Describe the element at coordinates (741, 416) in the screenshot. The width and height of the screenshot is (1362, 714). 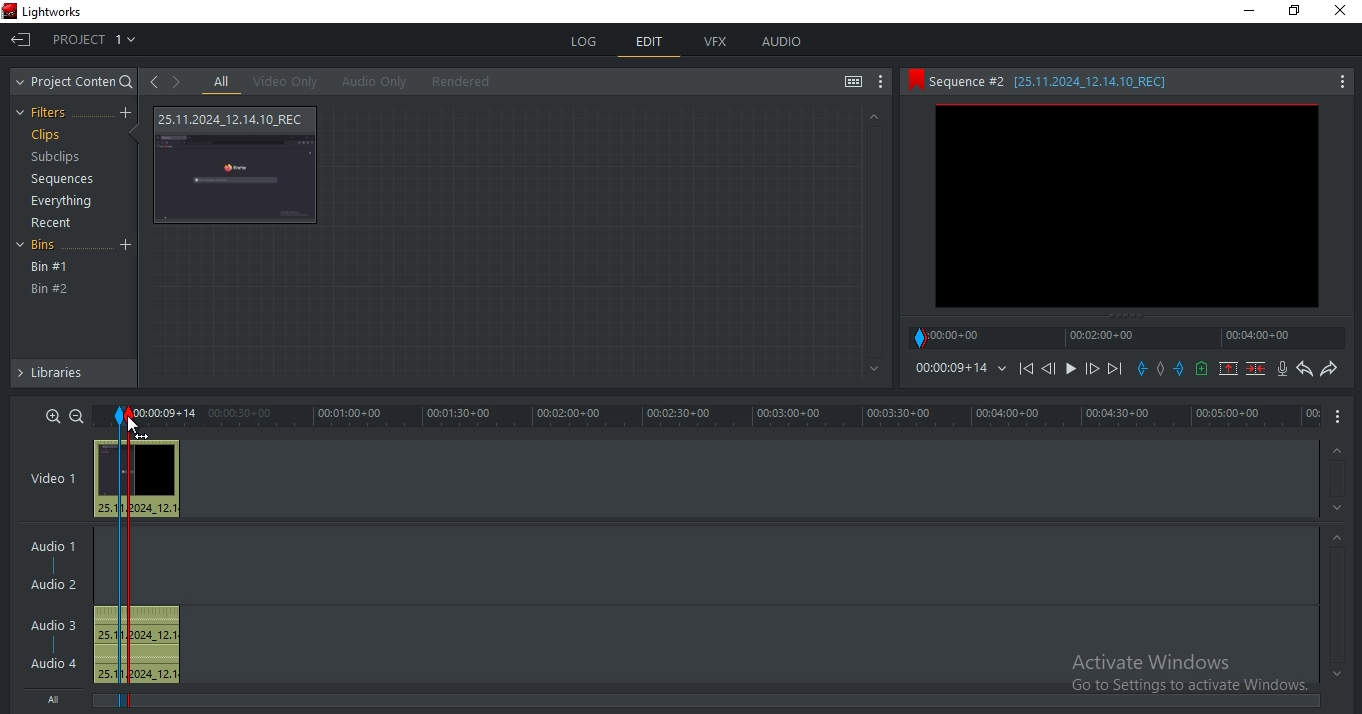
I see `time` at that location.